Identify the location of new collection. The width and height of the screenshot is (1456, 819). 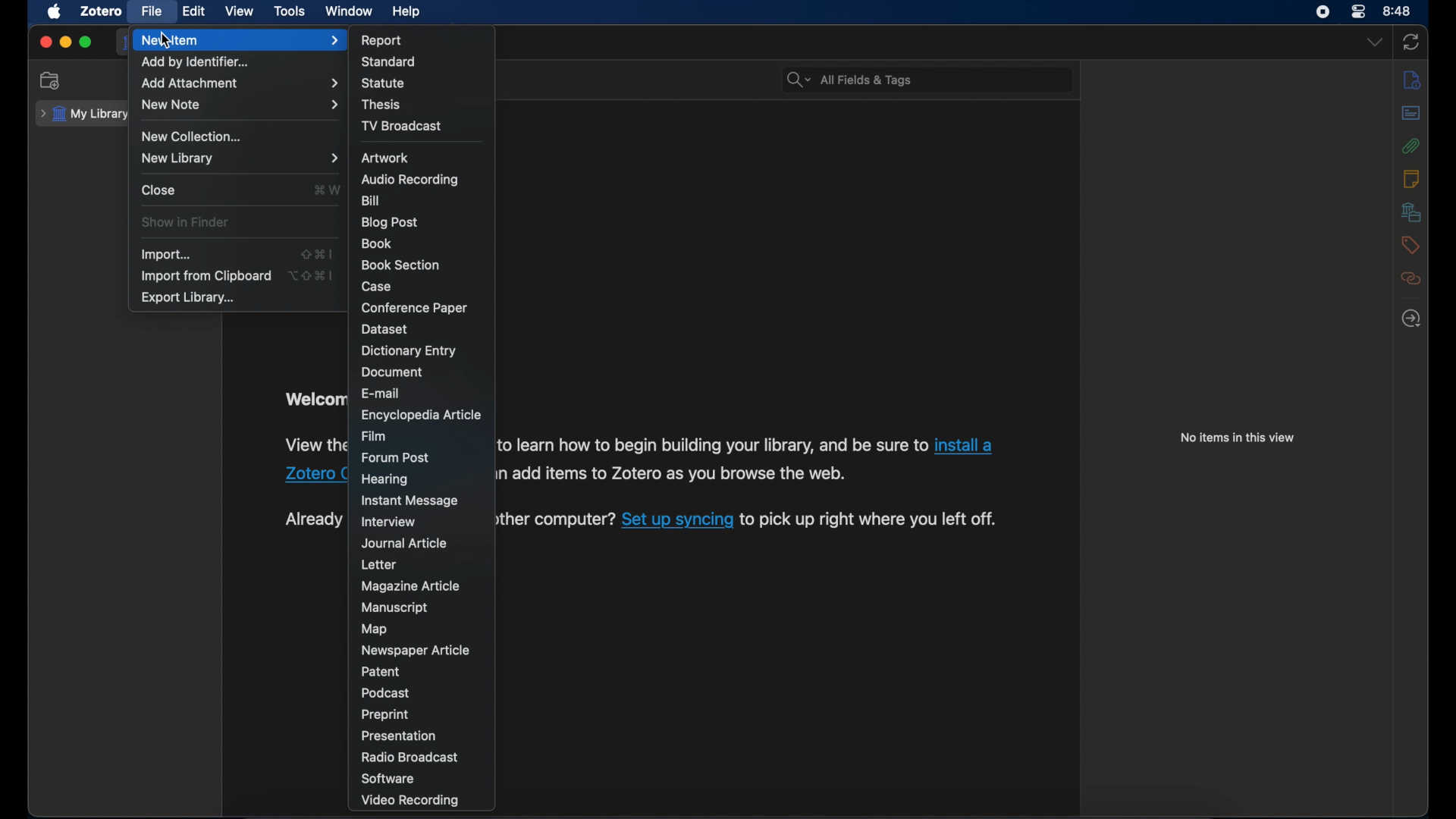
(193, 136).